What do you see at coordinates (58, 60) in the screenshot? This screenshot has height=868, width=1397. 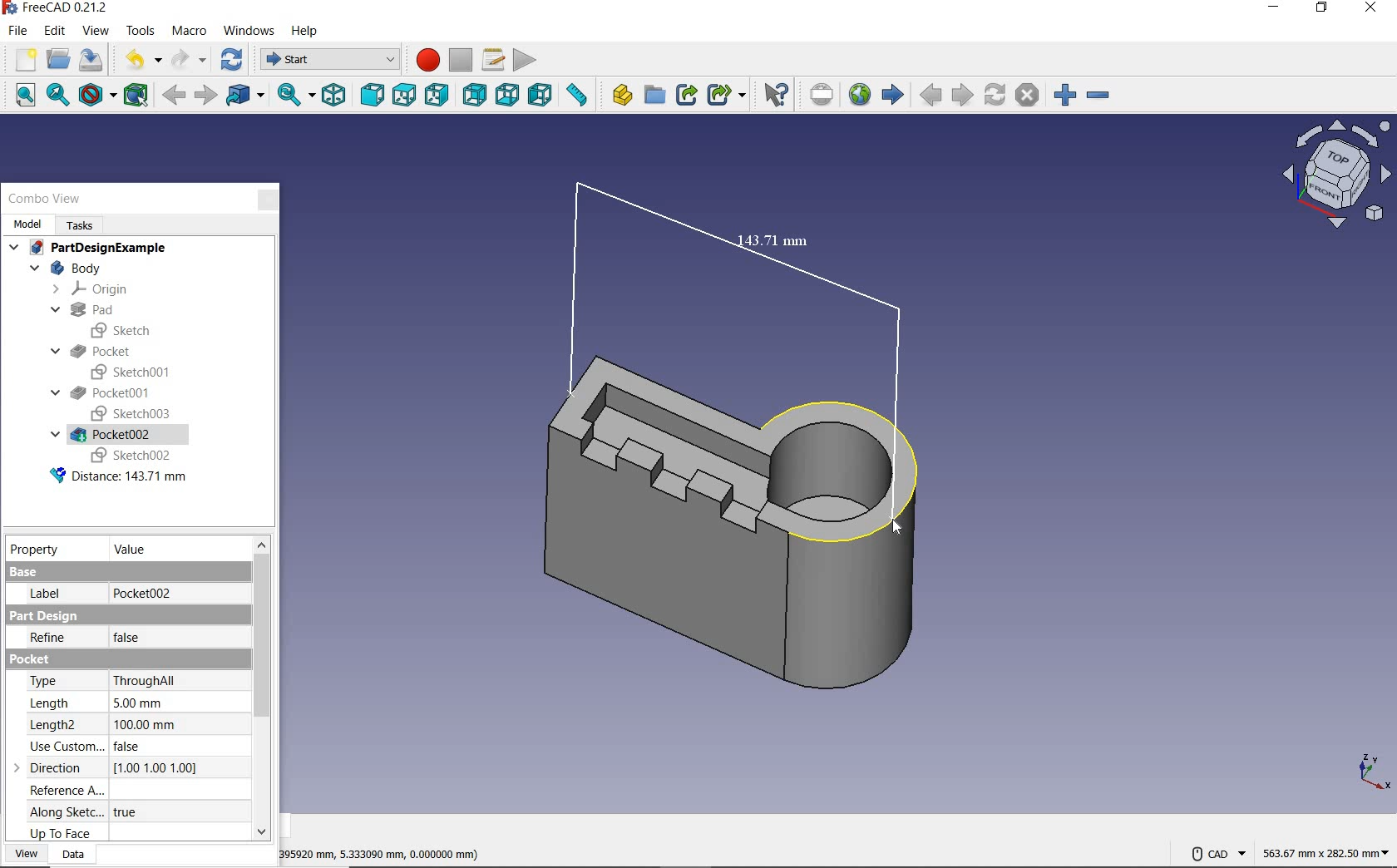 I see `open` at bounding box center [58, 60].